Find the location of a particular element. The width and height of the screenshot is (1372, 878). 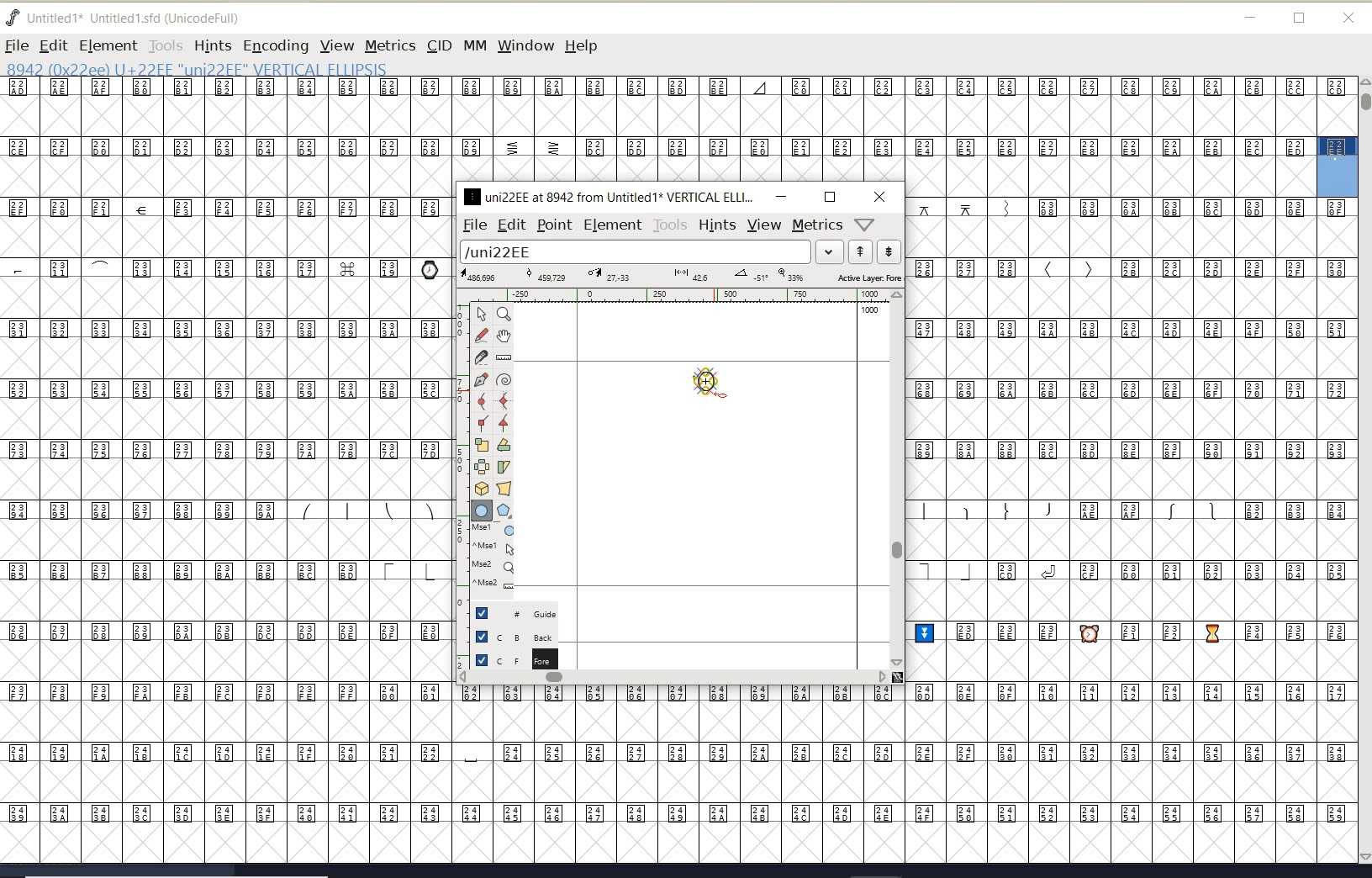

a vertical ellipsis creation is located at coordinates (707, 387).